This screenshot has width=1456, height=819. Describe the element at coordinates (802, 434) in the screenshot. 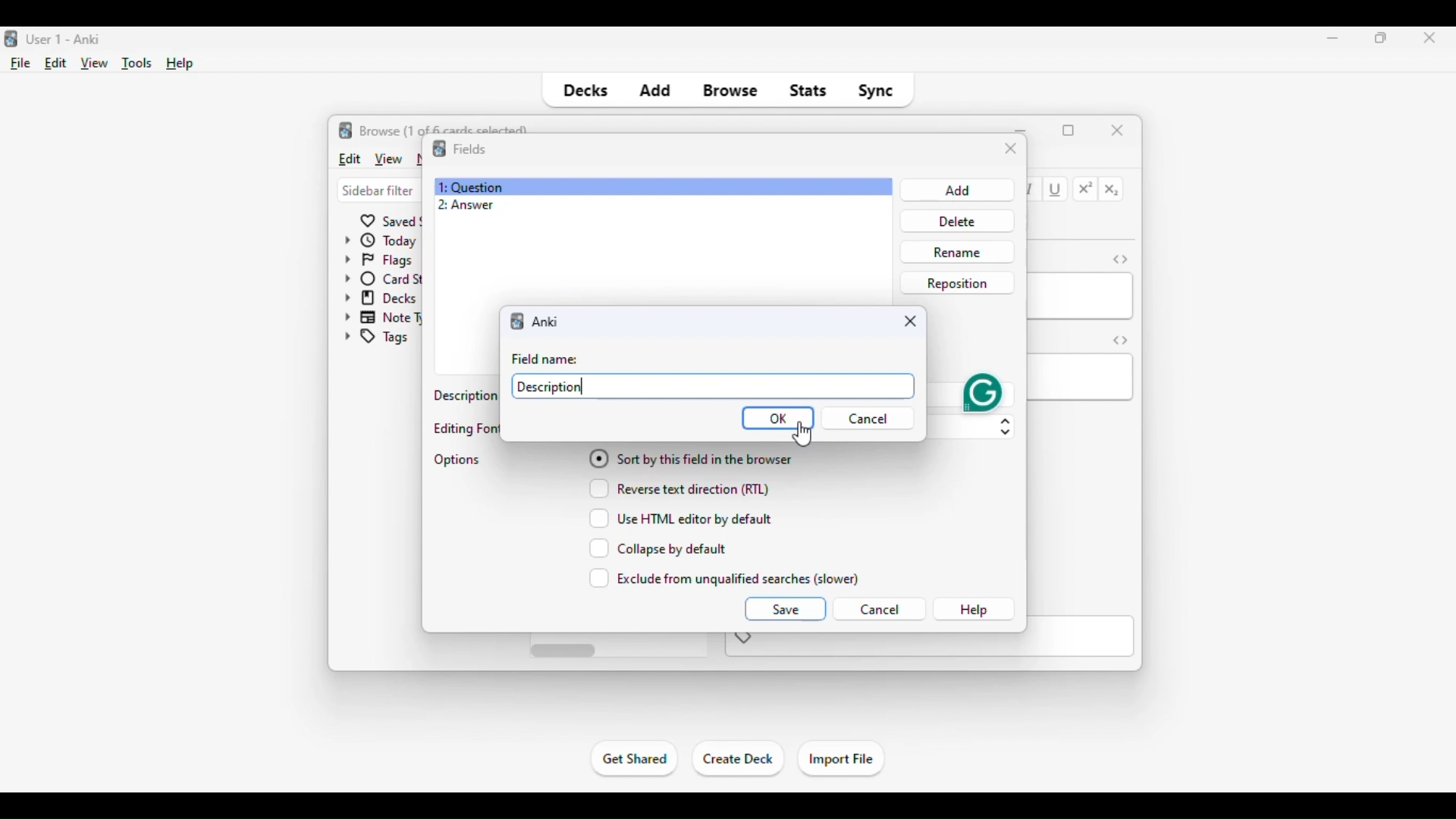

I see `cursor` at that location.